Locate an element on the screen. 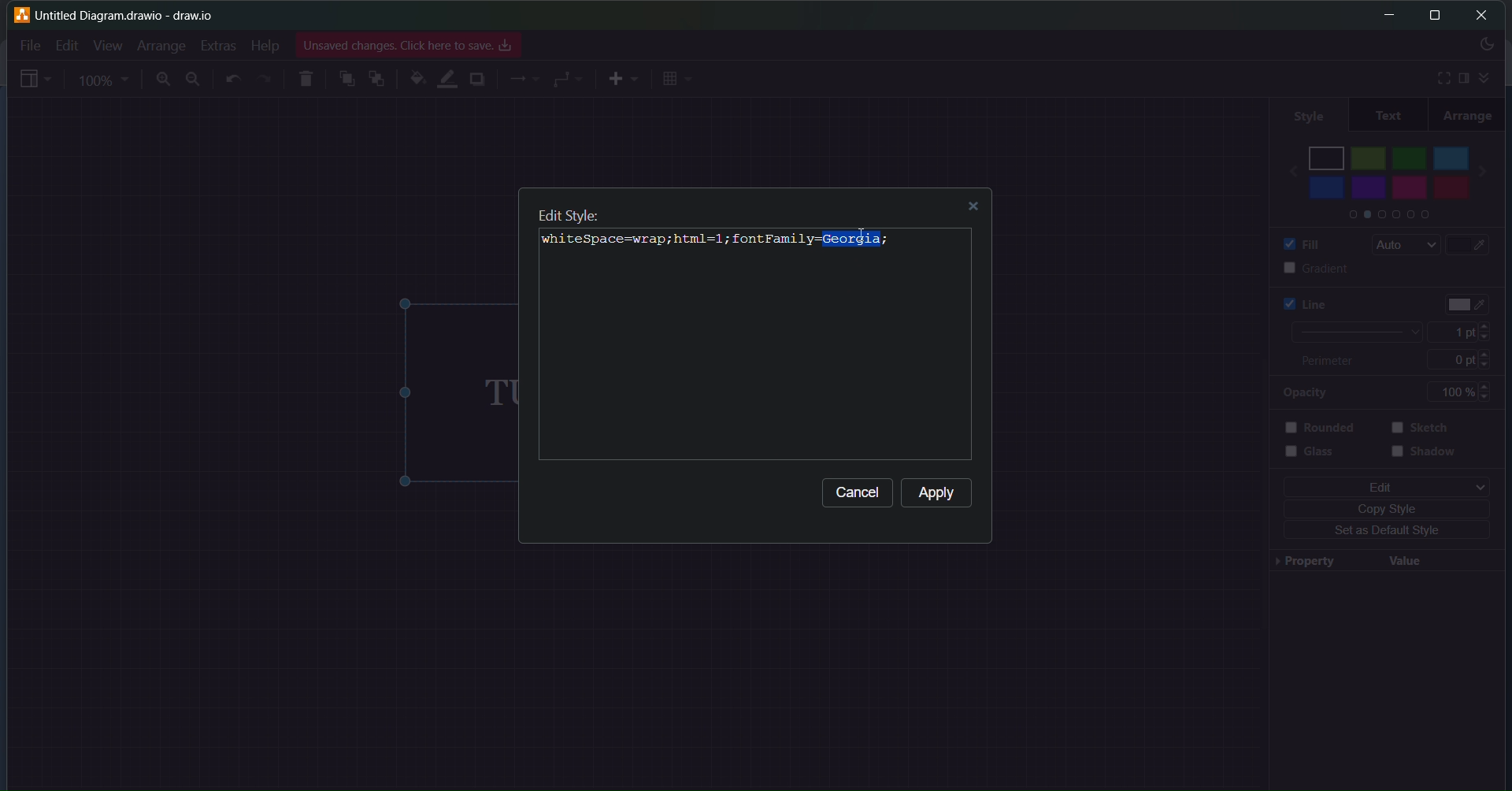  black is located at coordinates (1327, 155).